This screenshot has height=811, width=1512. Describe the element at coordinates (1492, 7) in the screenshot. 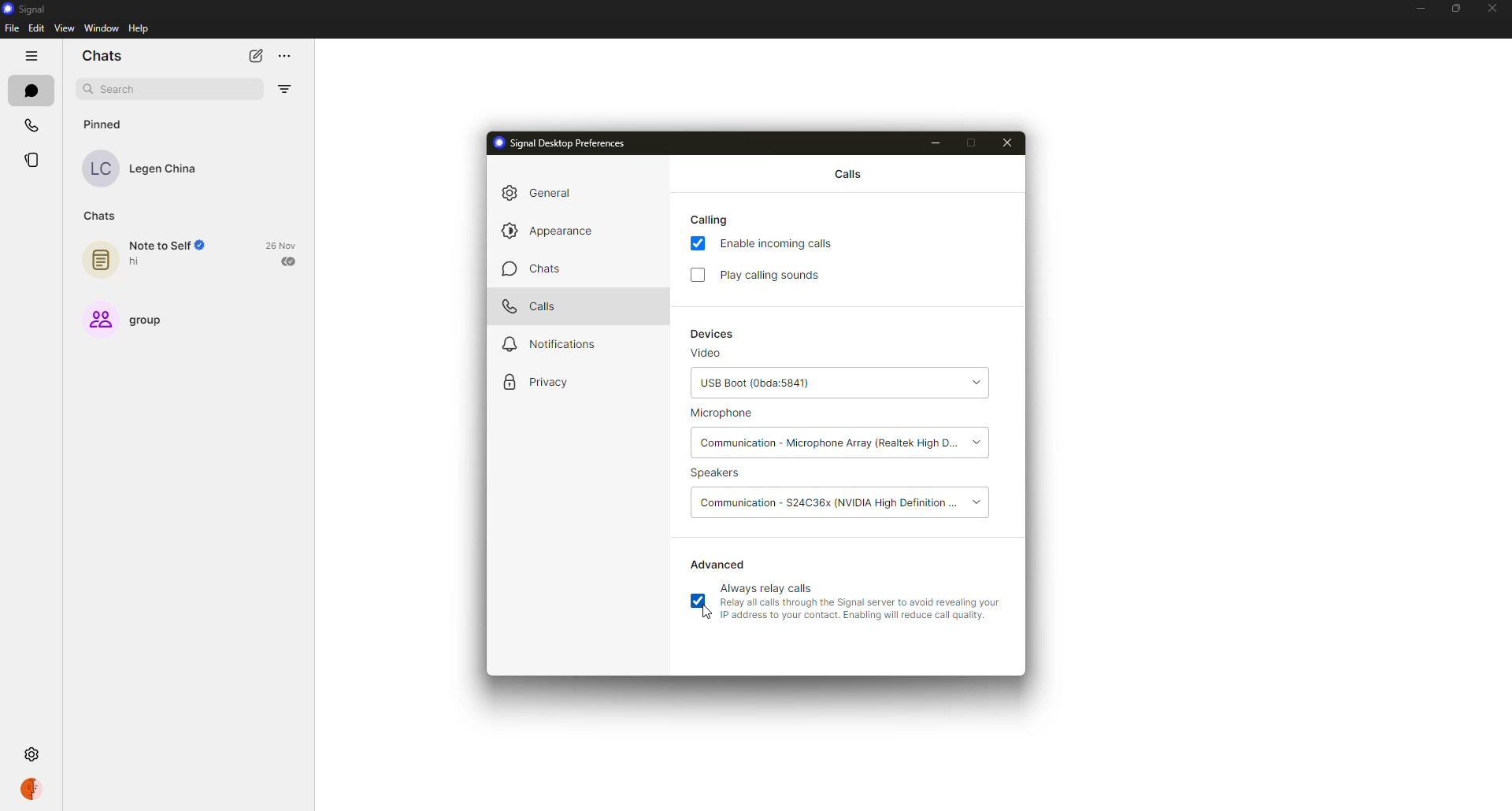

I see `close` at that location.